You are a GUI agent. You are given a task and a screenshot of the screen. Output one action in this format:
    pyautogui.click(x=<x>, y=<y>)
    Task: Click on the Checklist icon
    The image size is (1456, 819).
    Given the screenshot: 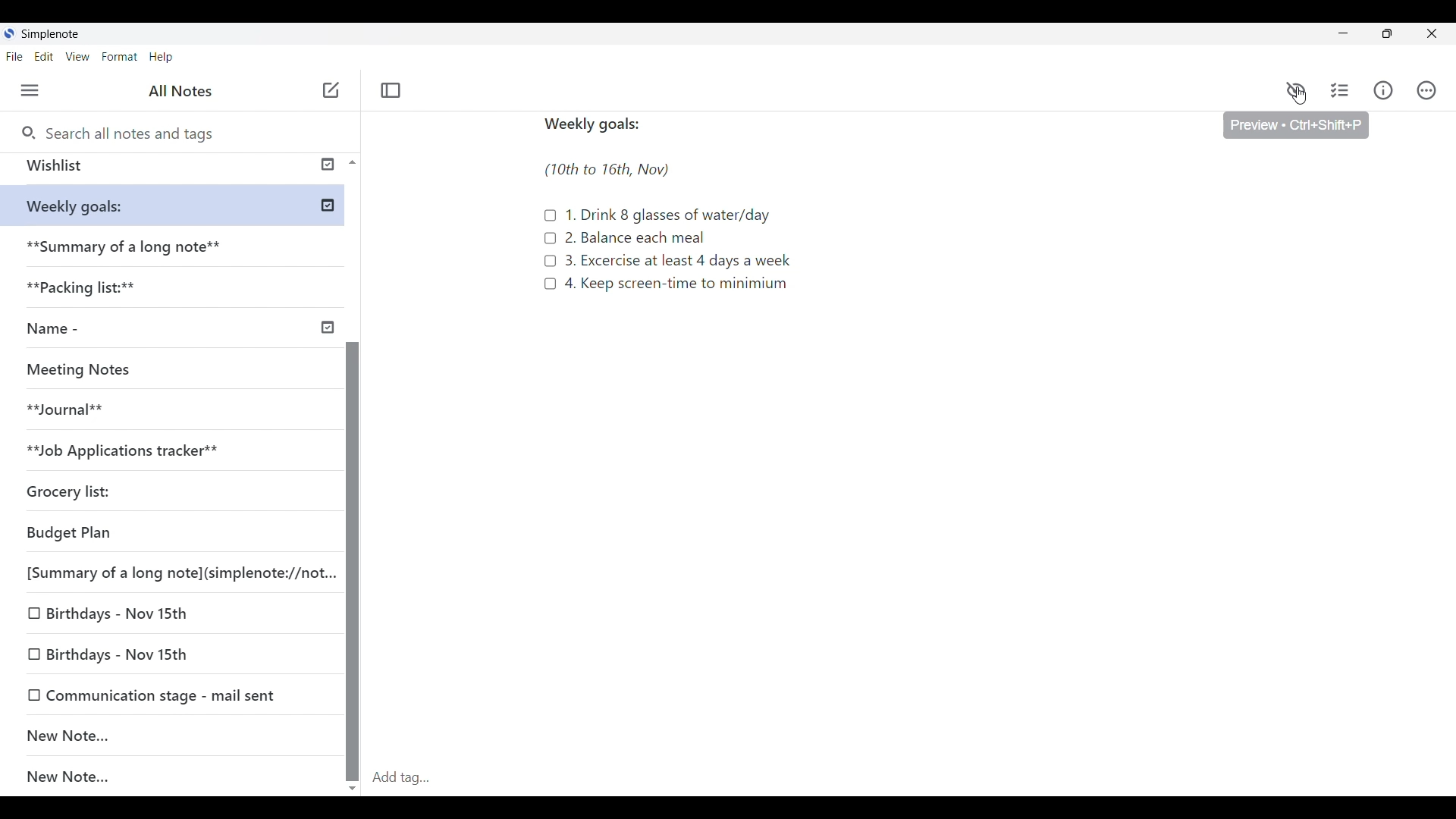 What is the action you would take?
    pyautogui.click(x=549, y=237)
    